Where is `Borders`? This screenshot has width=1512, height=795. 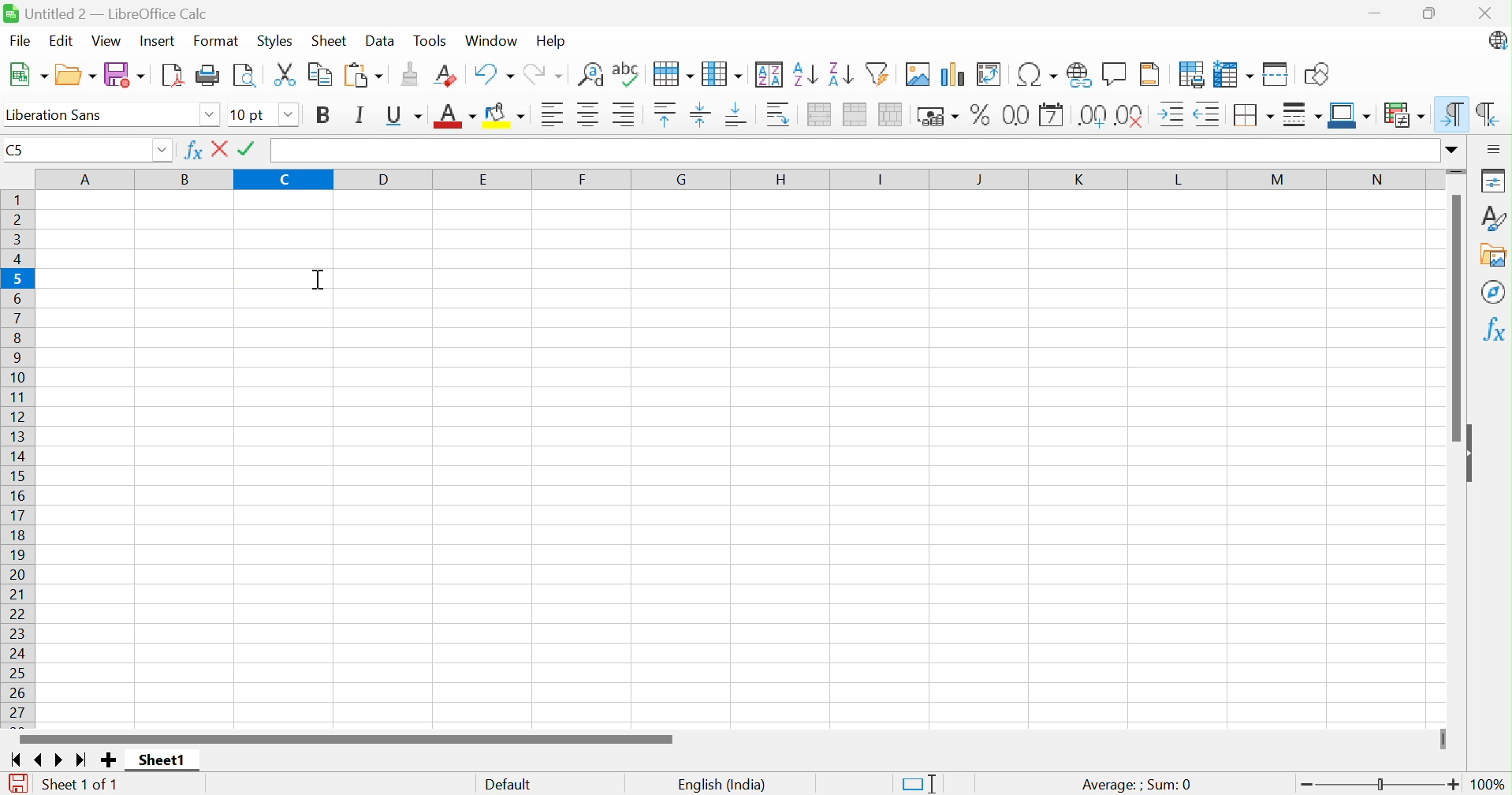 Borders is located at coordinates (1257, 114).